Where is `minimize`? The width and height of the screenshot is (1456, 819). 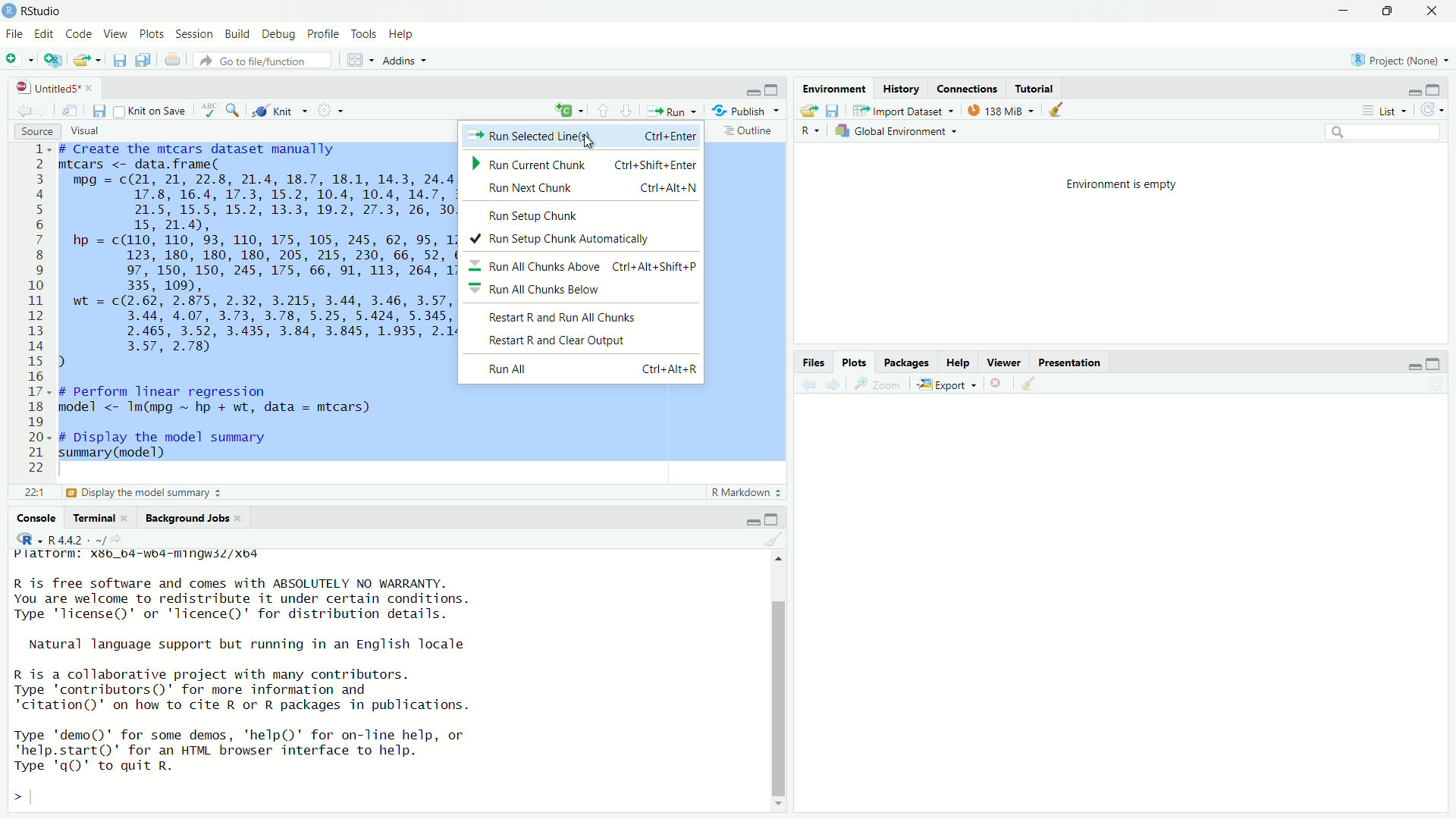
minimize is located at coordinates (1411, 366).